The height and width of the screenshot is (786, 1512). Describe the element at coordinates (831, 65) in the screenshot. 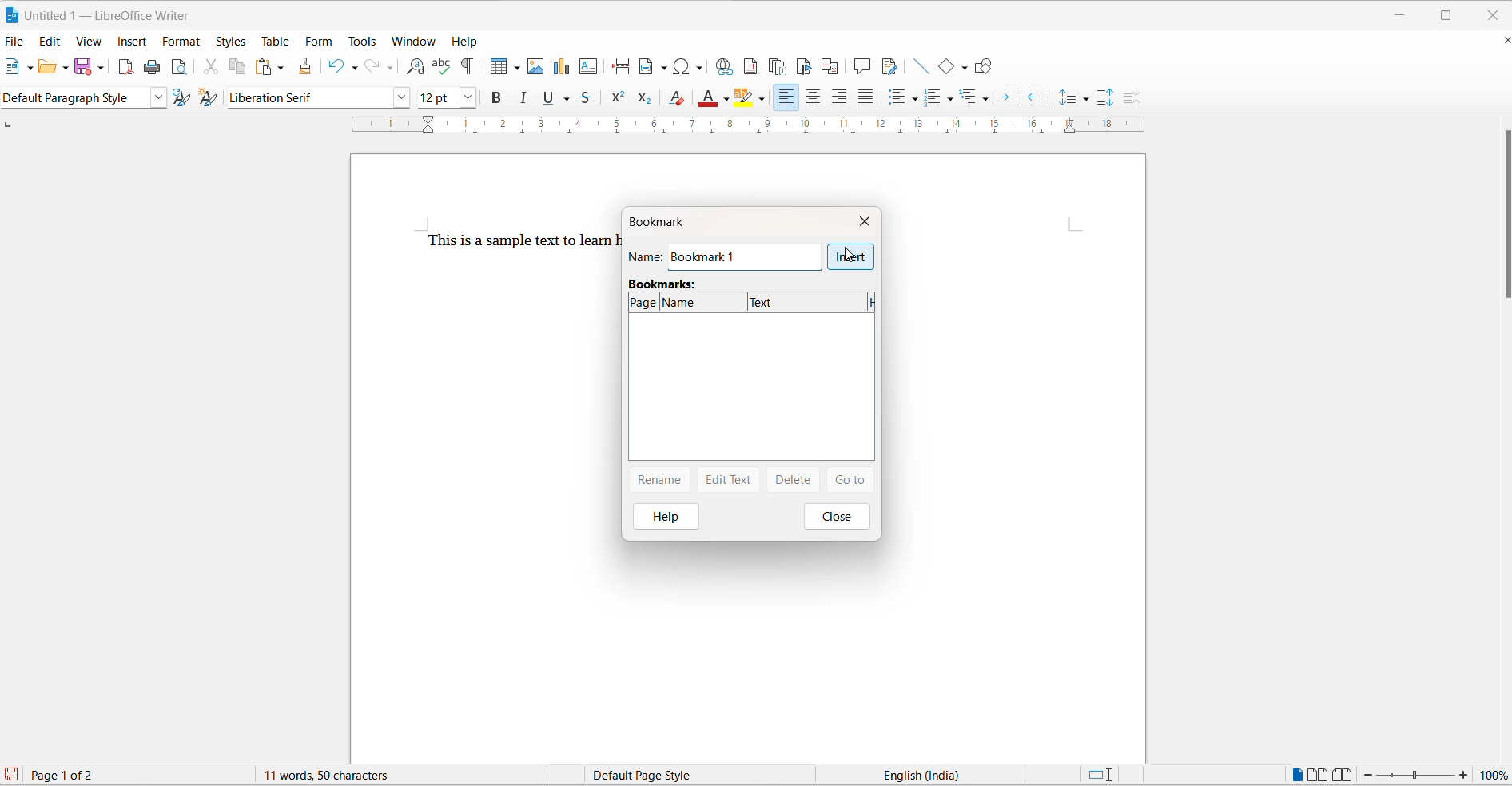

I see `insert cross reference` at that location.